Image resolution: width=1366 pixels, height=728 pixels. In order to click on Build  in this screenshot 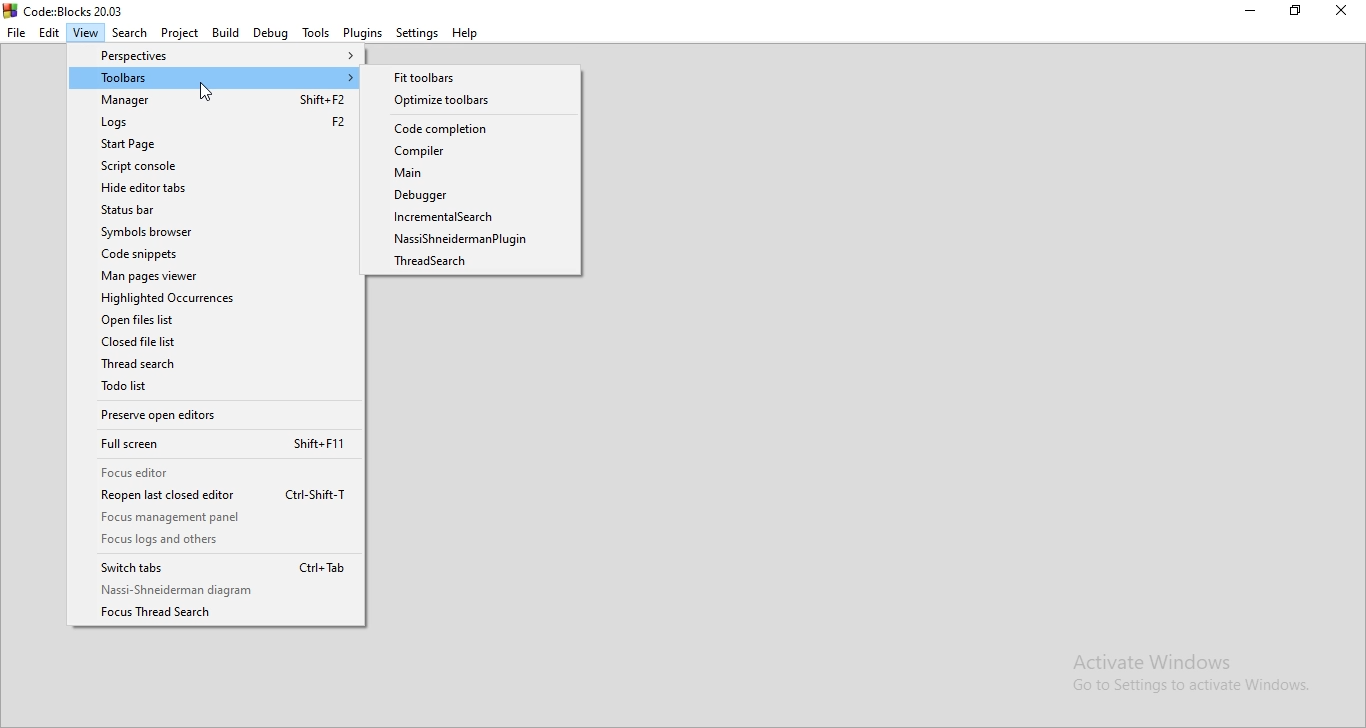, I will do `click(223, 33)`.